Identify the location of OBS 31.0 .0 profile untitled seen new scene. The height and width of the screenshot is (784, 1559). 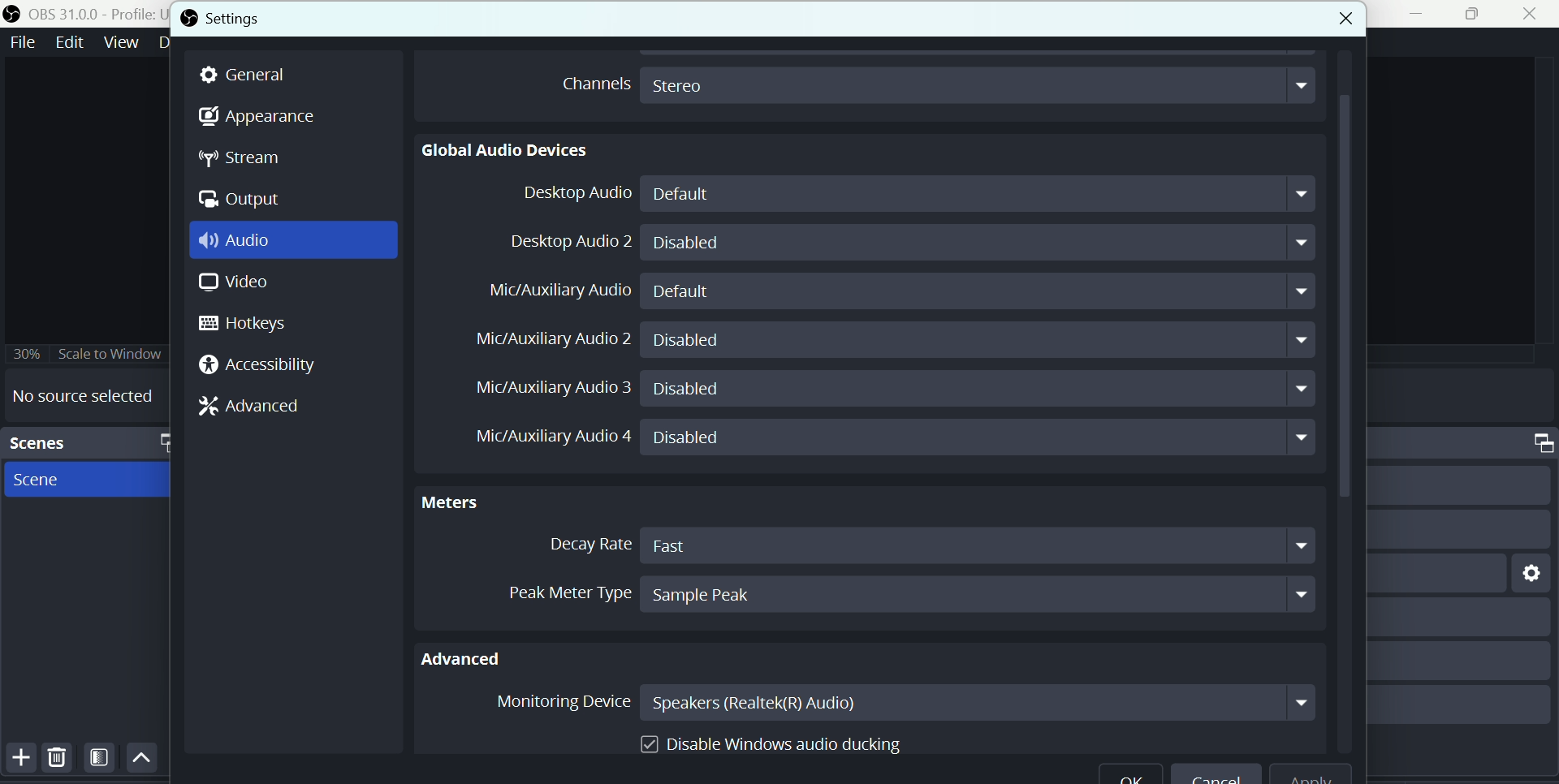
(96, 13).